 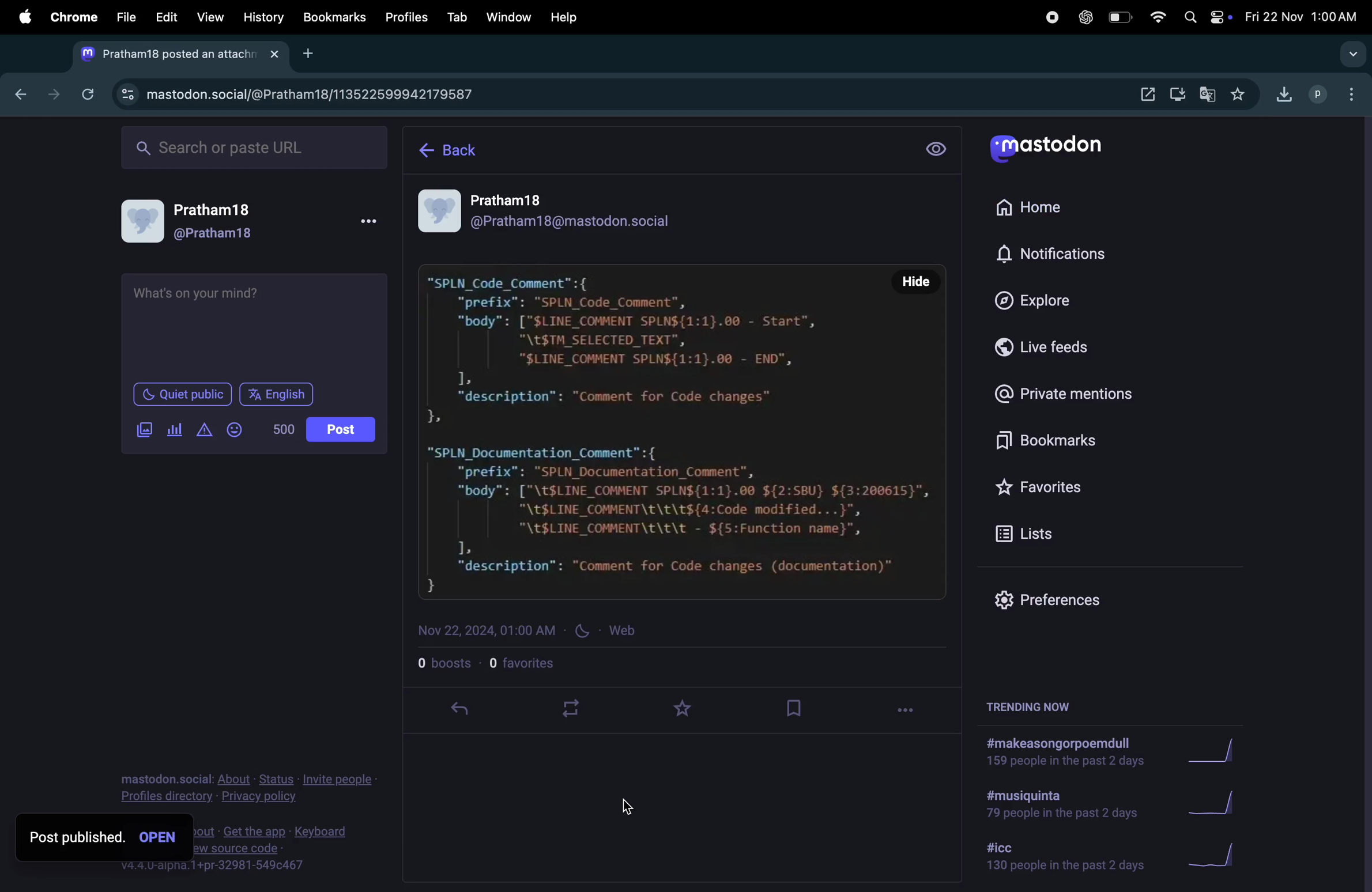 I want to click on searchbox, so click(x=263, y=149).